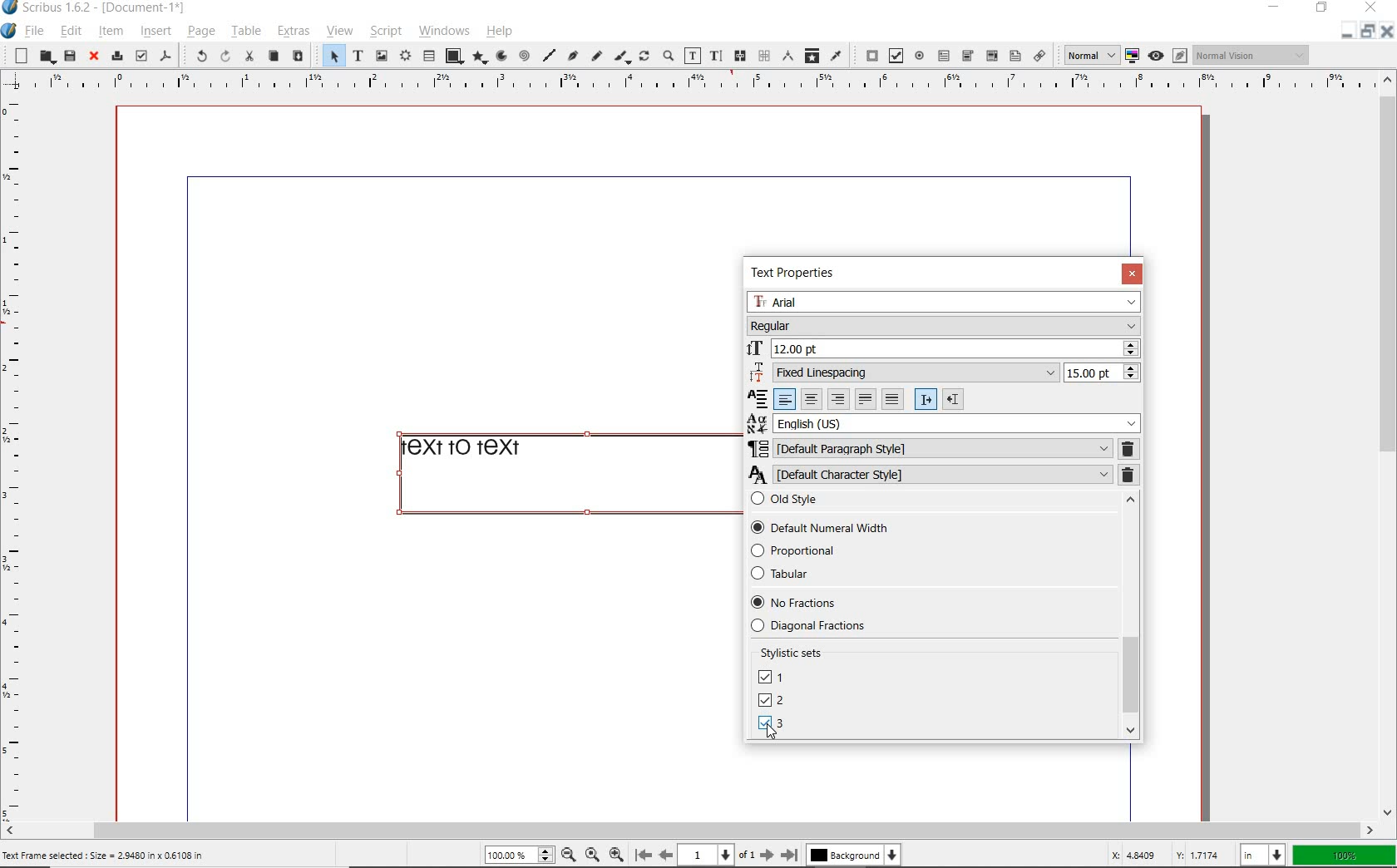 This screenshot has width=1397, height=868. What do you see at coordinates (1371, 7) in the screenshot?
I see `close` at bounding box center [1371, 7].